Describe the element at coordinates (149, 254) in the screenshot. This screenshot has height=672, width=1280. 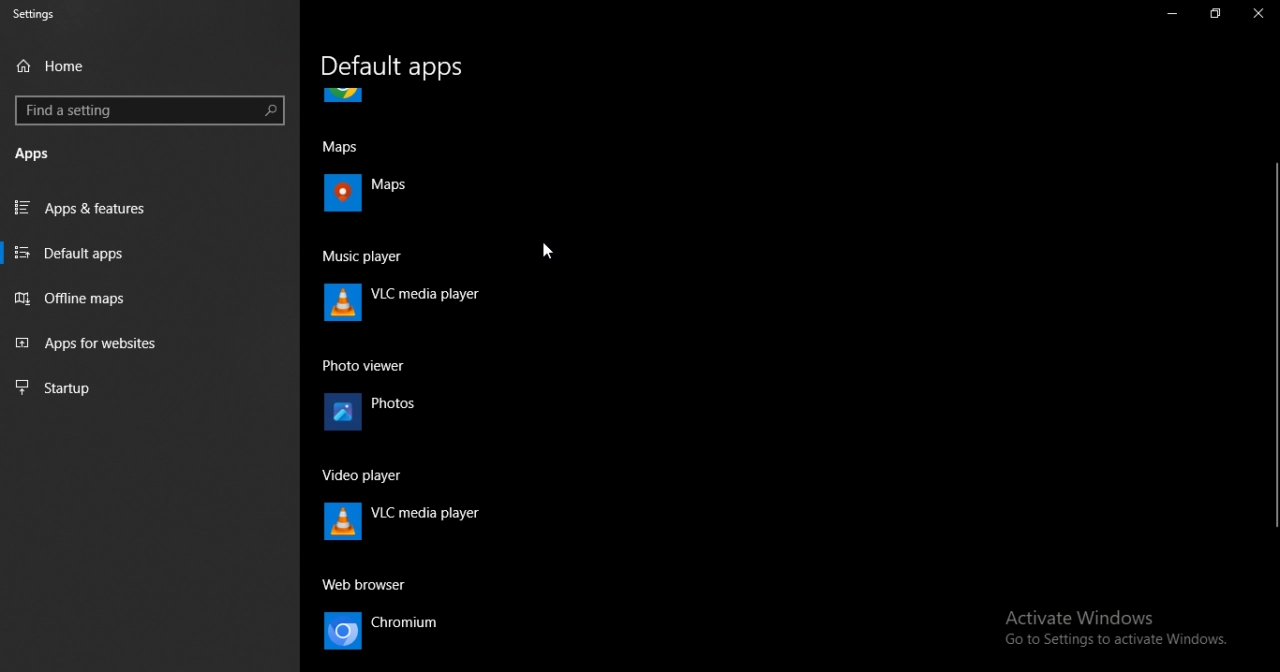
I see `default apps` at that location.